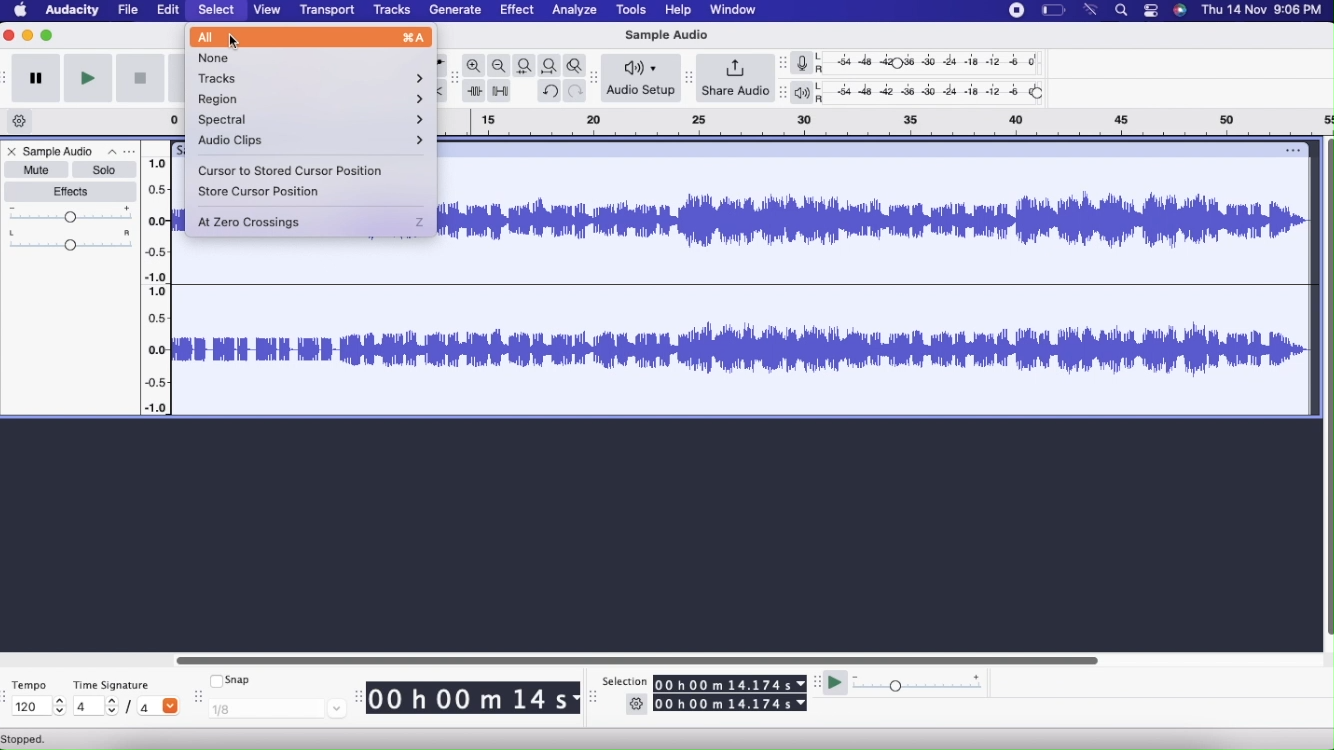  Describe the element at coordinates (665, 38) in the screenshot. I see `Sample Audio` at that location.